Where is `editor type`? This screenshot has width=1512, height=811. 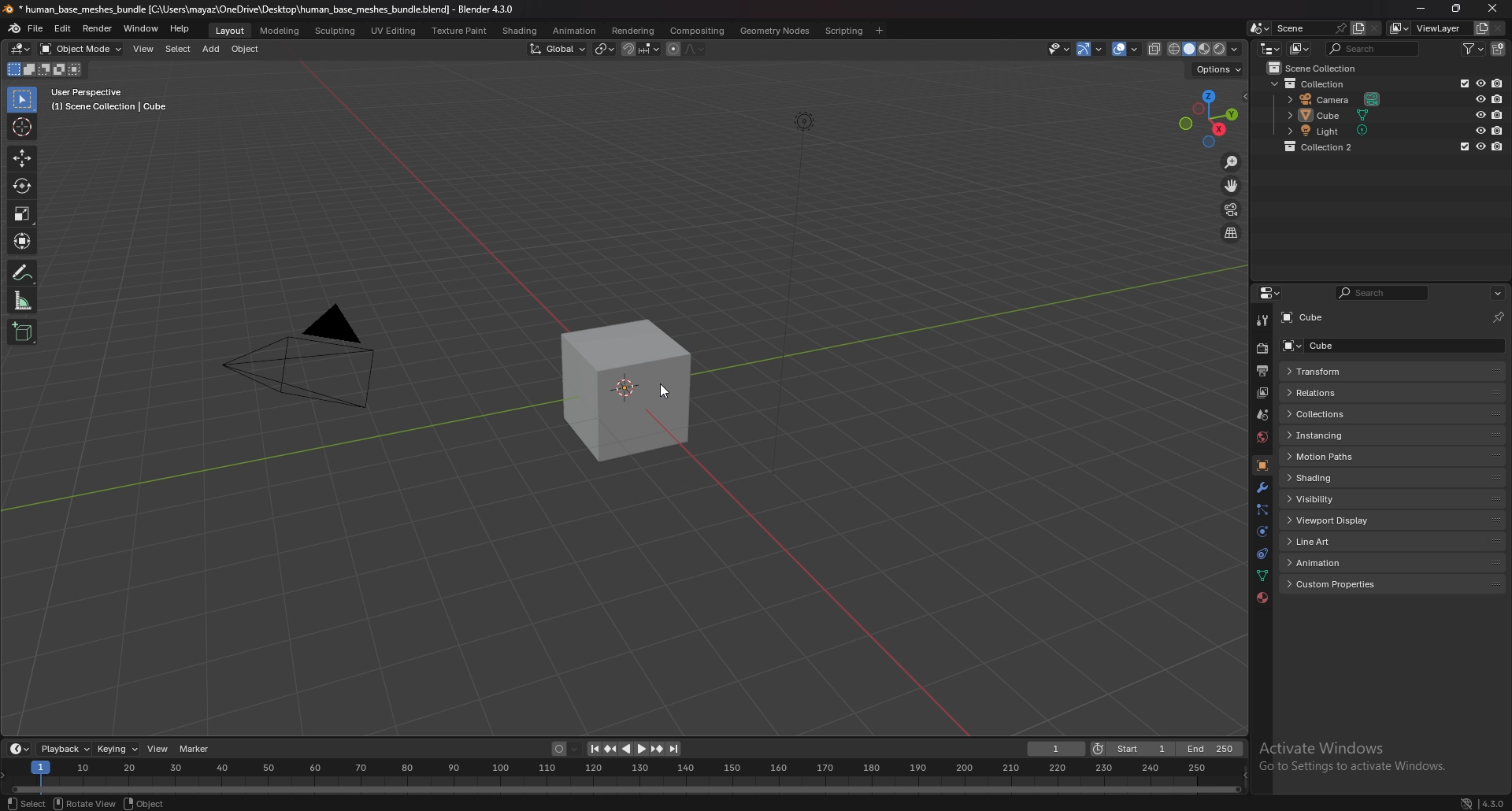
editor type is located at coordinates (20, 748).